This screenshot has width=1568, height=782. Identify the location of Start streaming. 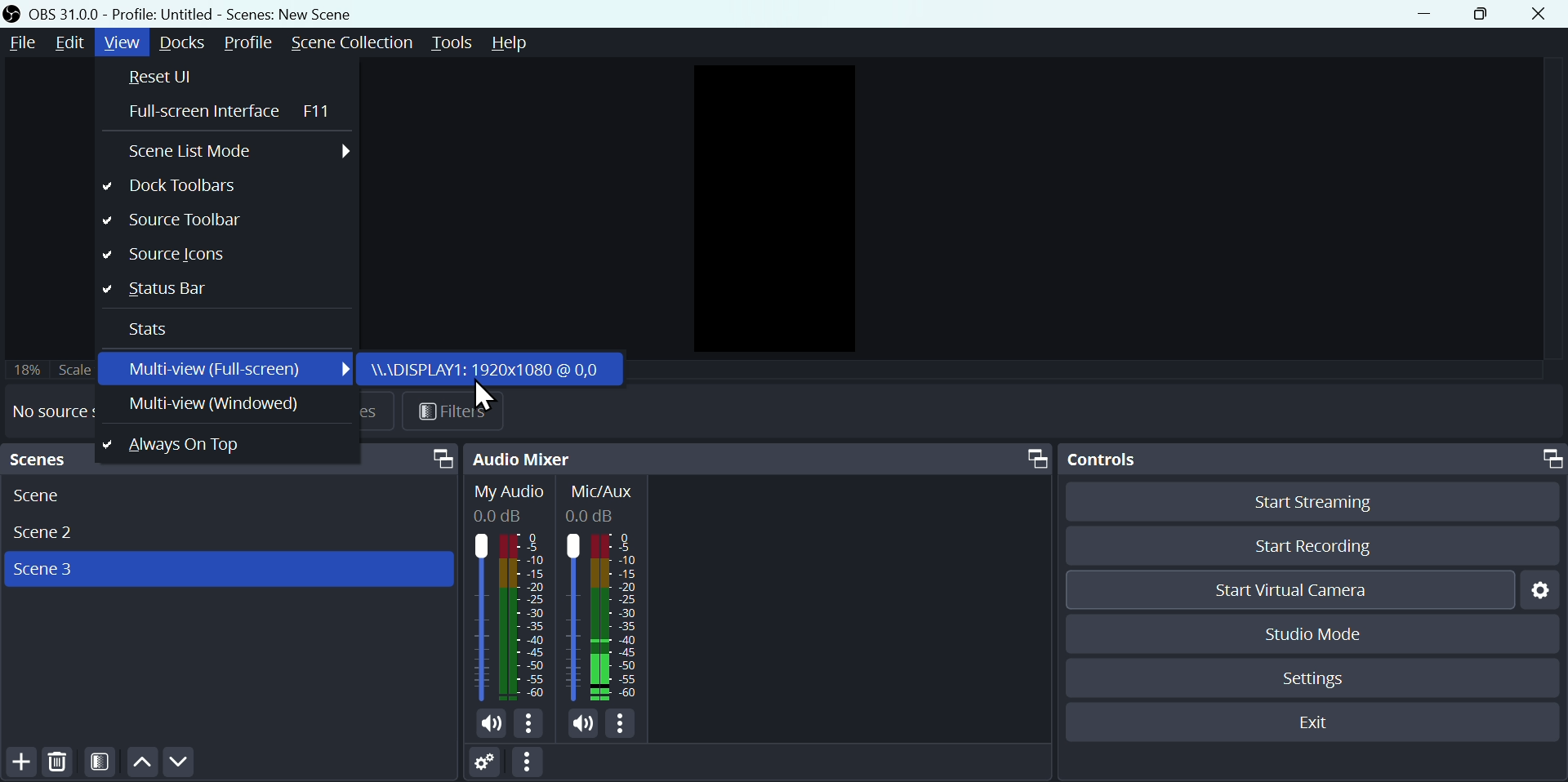
(1311, 504).